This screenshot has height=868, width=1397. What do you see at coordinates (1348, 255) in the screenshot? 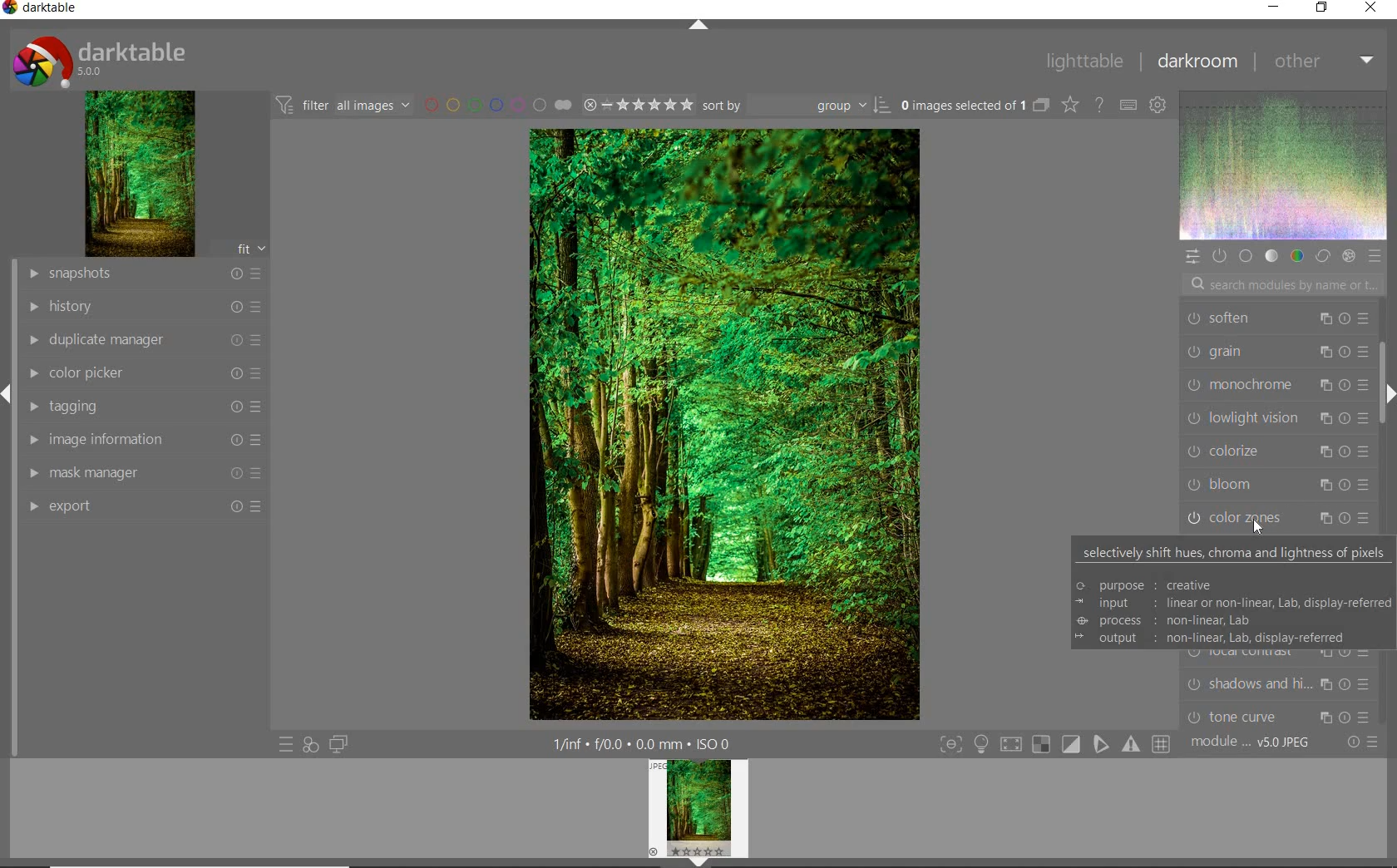
I see `EFFECT` at bounding box center [1348, 255].